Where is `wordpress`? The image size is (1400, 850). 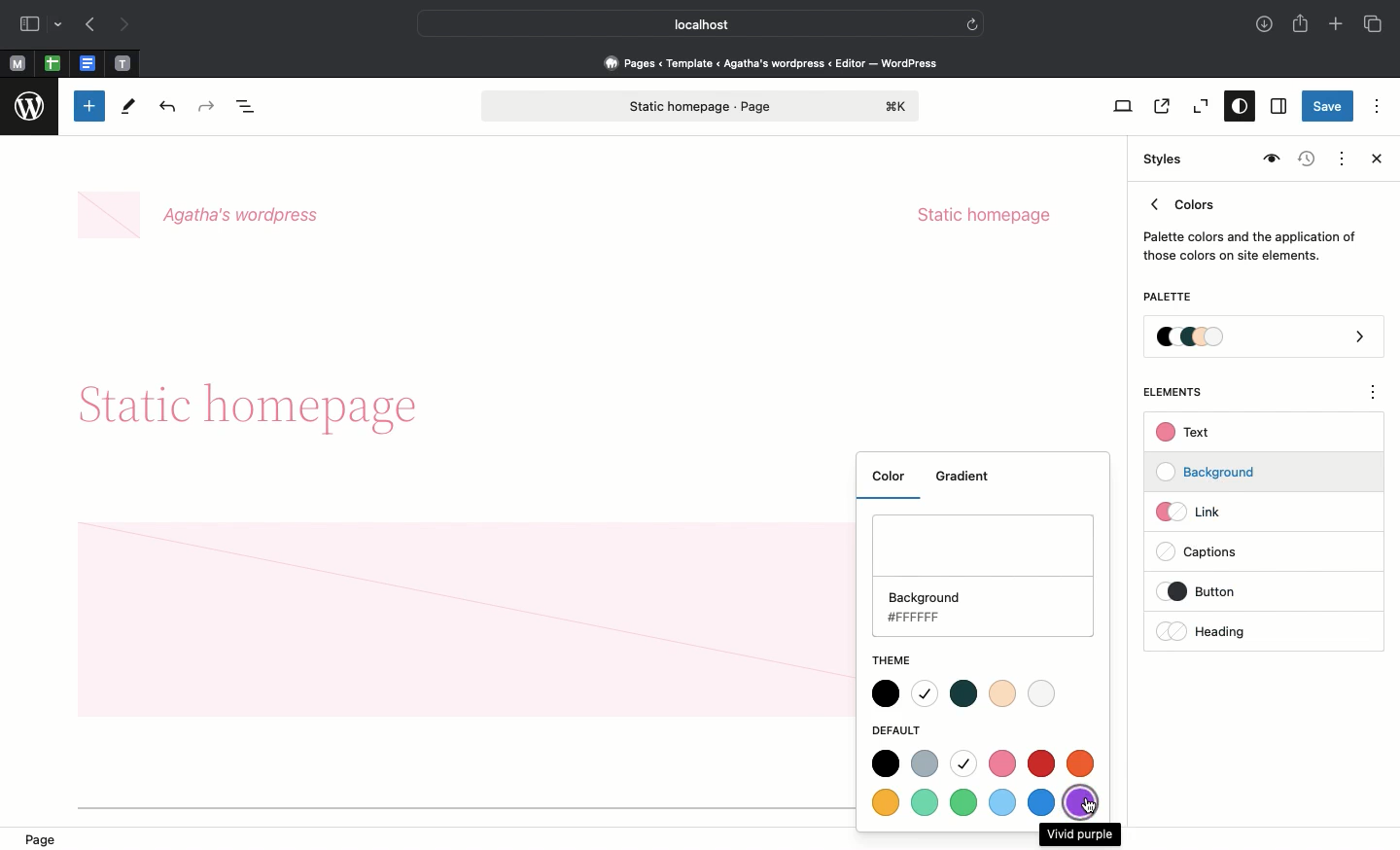
wordpress is located at coordinates (30, 107).